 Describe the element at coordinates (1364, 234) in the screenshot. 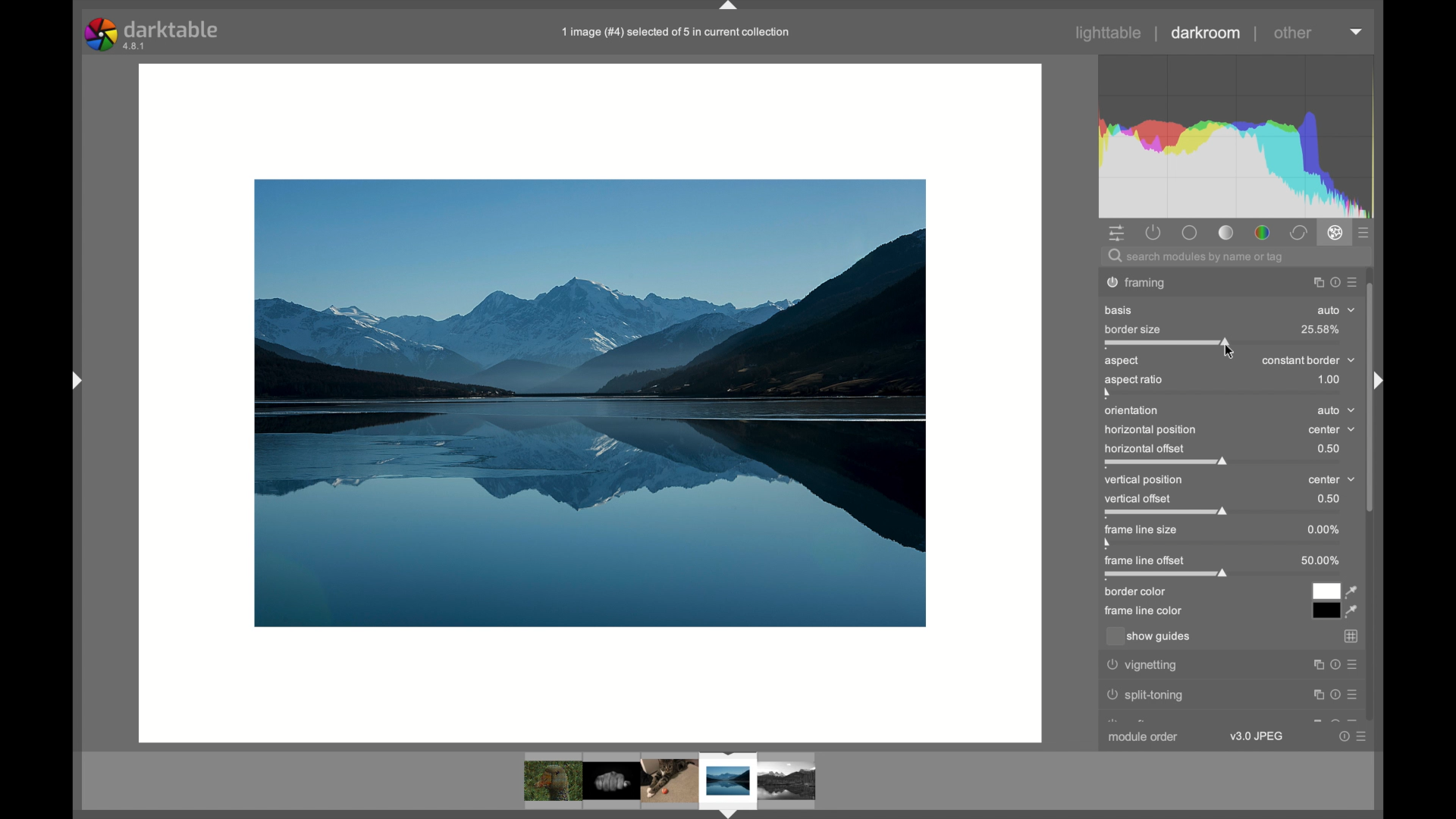

I see `show all advanced modules` at that location.